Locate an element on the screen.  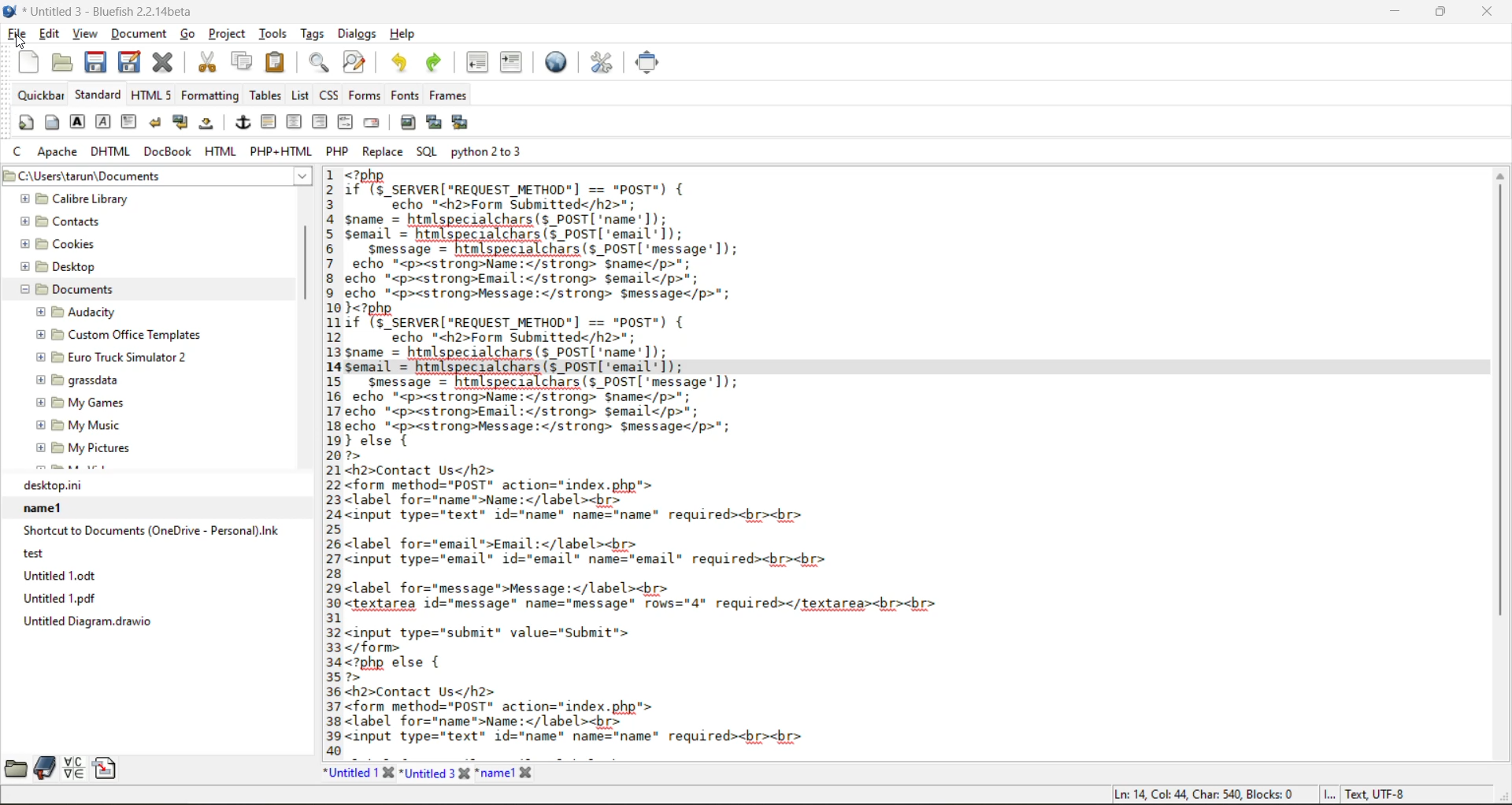
standard is located at coordinates (98, 95).